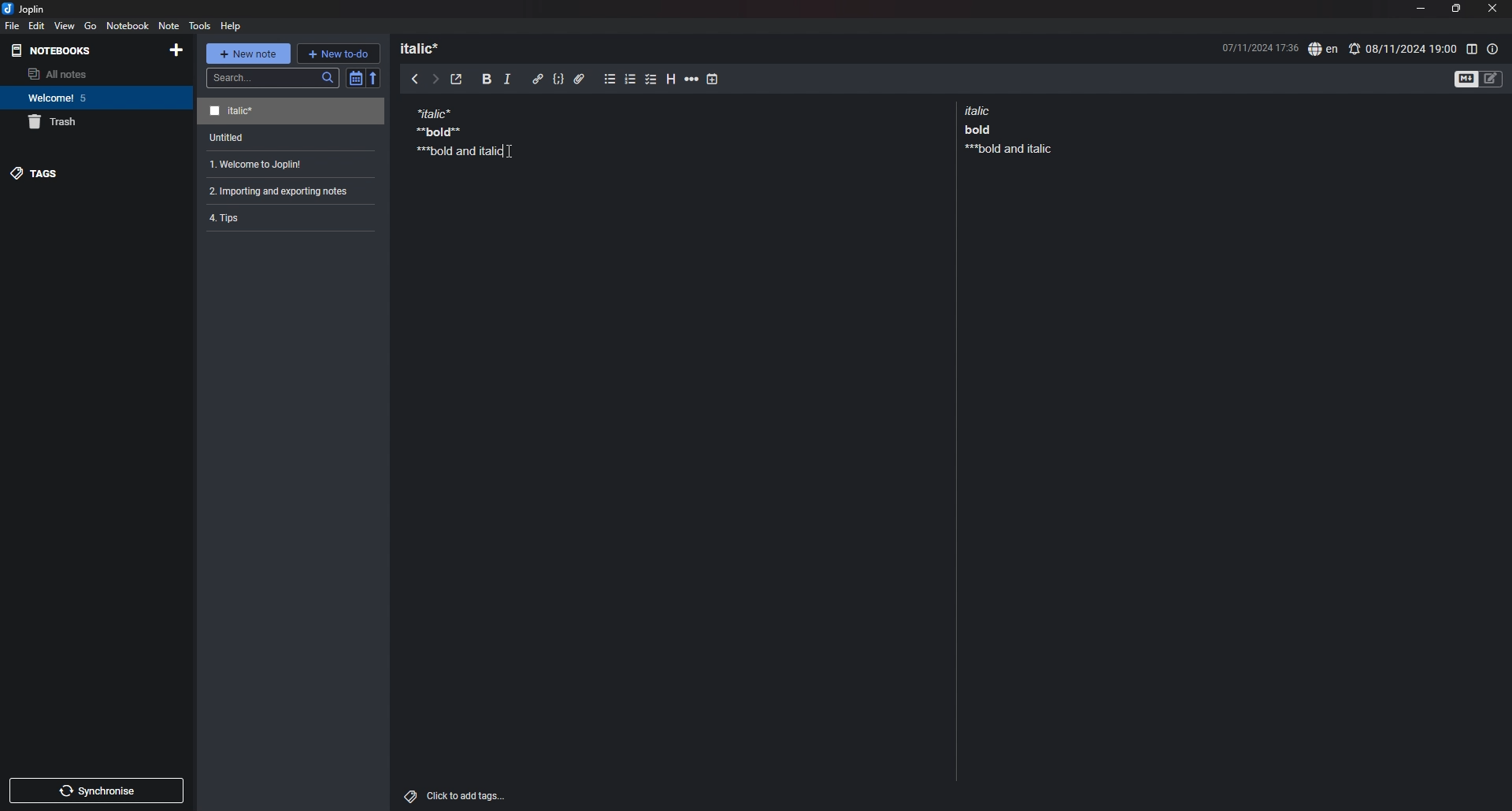  I want to click on note, so click(291, 112).